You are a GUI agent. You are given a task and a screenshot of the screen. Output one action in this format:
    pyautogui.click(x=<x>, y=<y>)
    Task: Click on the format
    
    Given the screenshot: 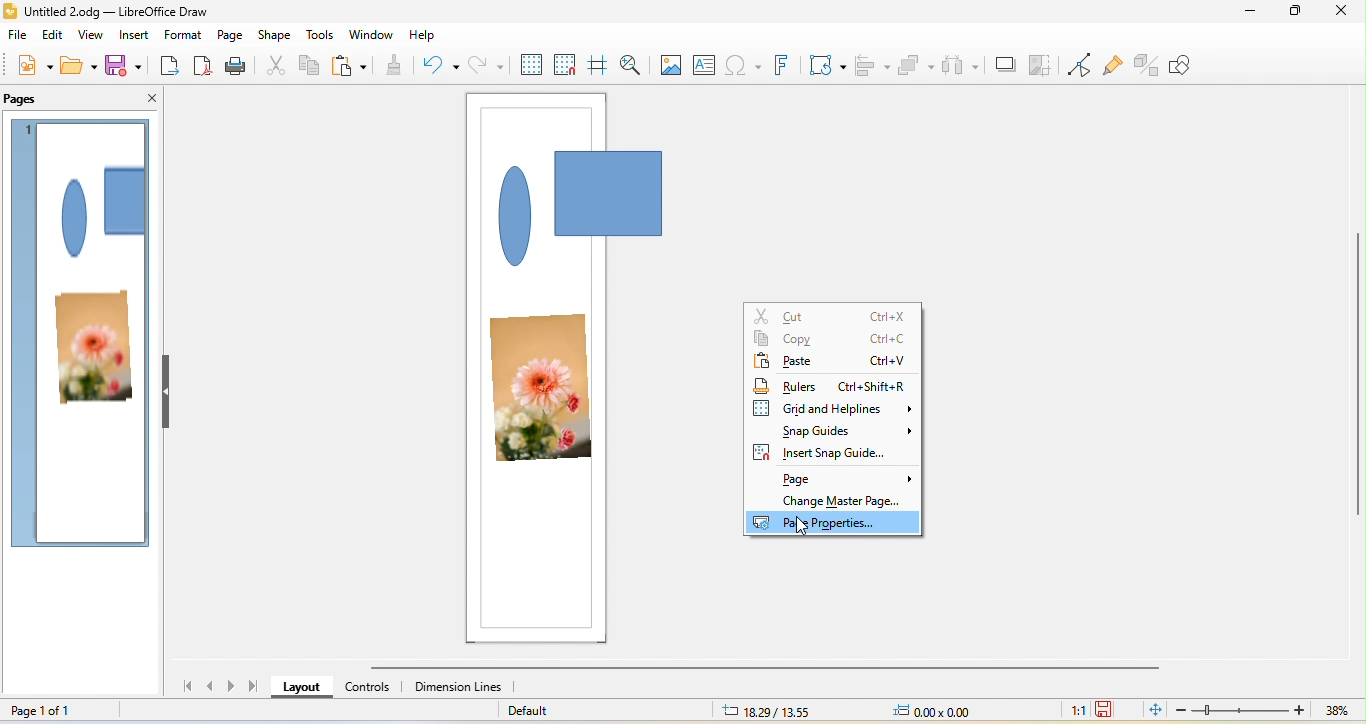 What is the action you would take?
    pyautogui.click(x=183, y=35)
    